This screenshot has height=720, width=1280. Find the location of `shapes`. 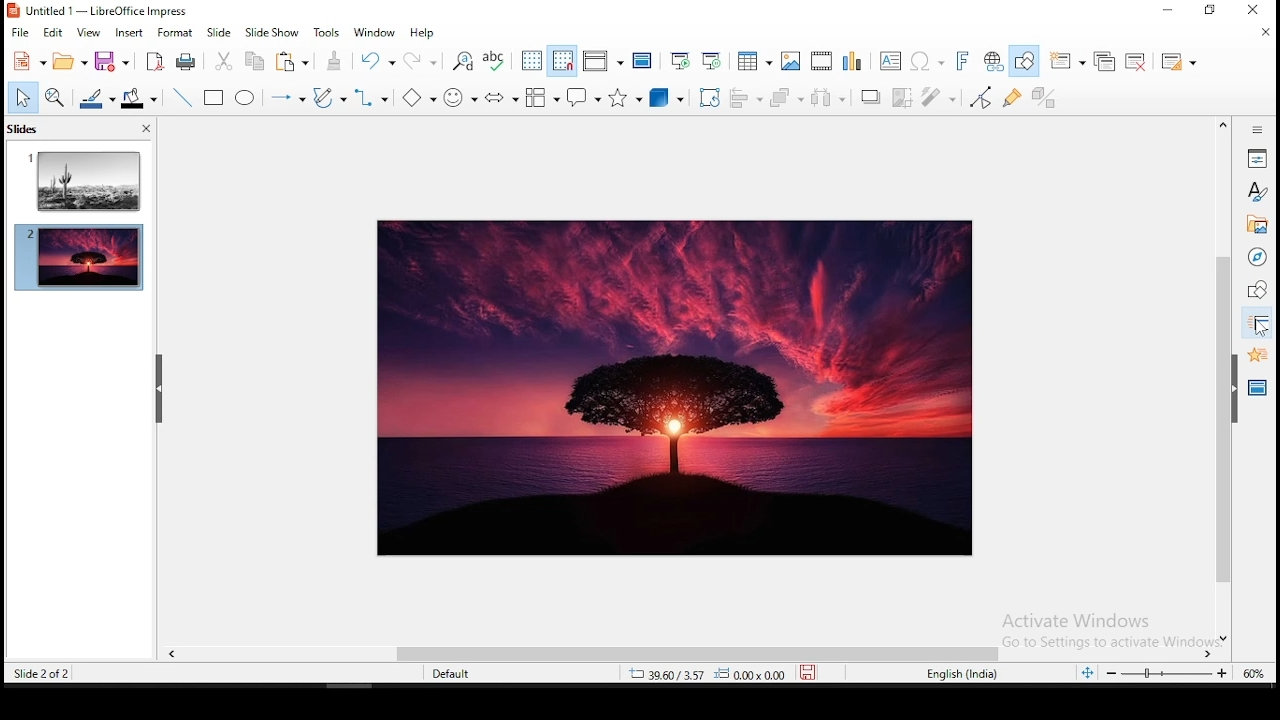

shapes is located at coordinates (1255, 291).